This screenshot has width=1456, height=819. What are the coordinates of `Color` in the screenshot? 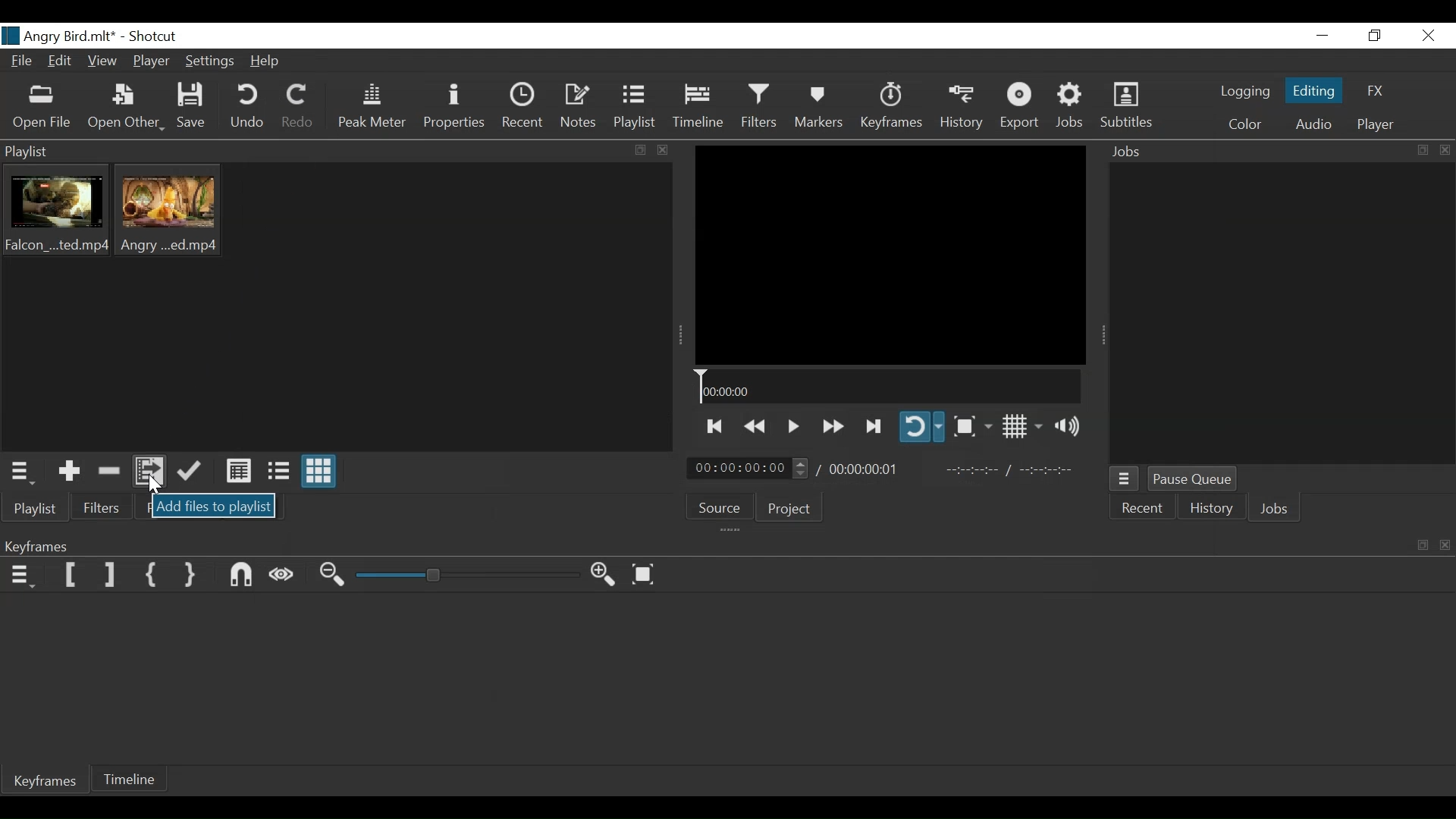 It's located at (1244, 123).